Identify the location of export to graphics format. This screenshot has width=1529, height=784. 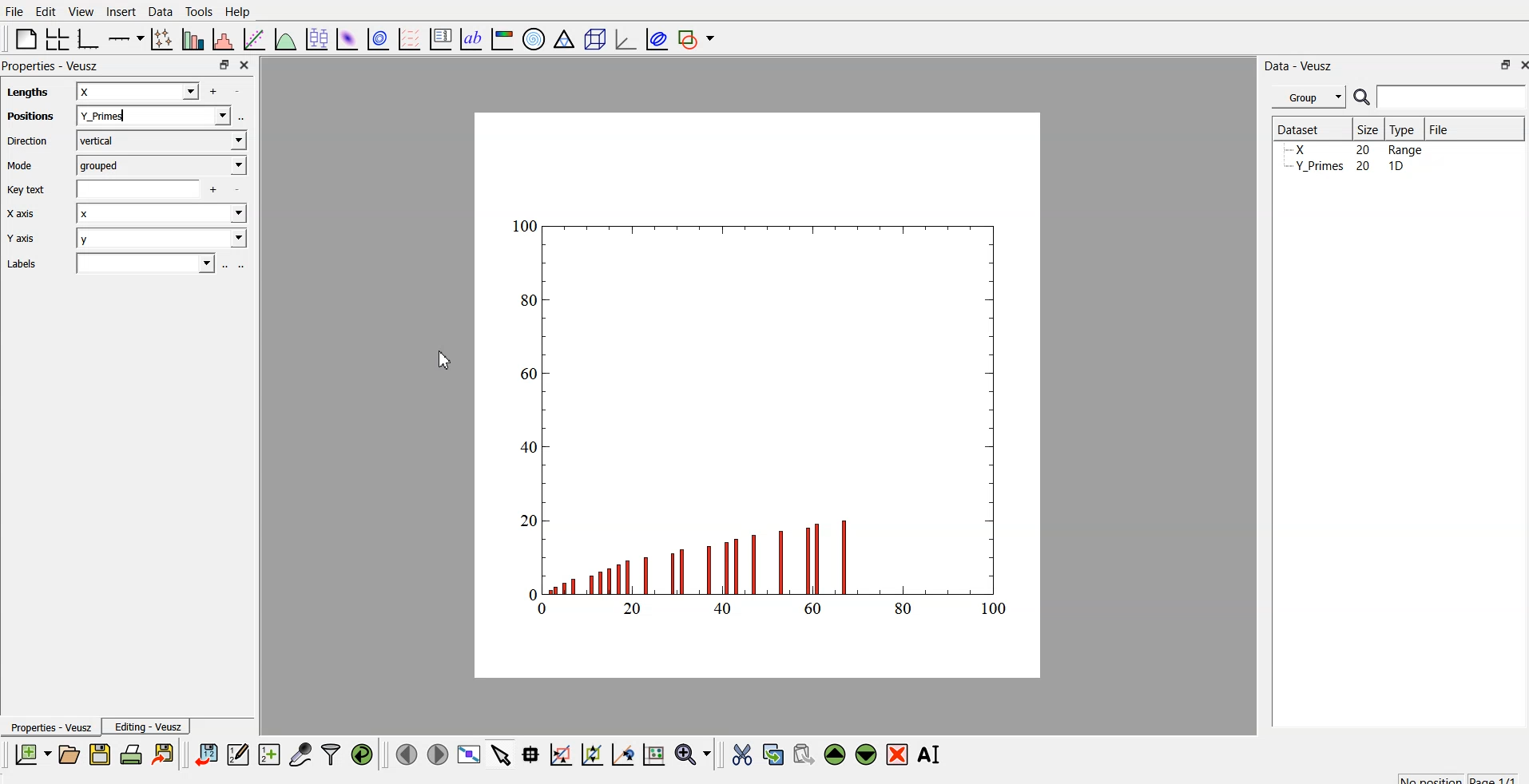
(166, 754).